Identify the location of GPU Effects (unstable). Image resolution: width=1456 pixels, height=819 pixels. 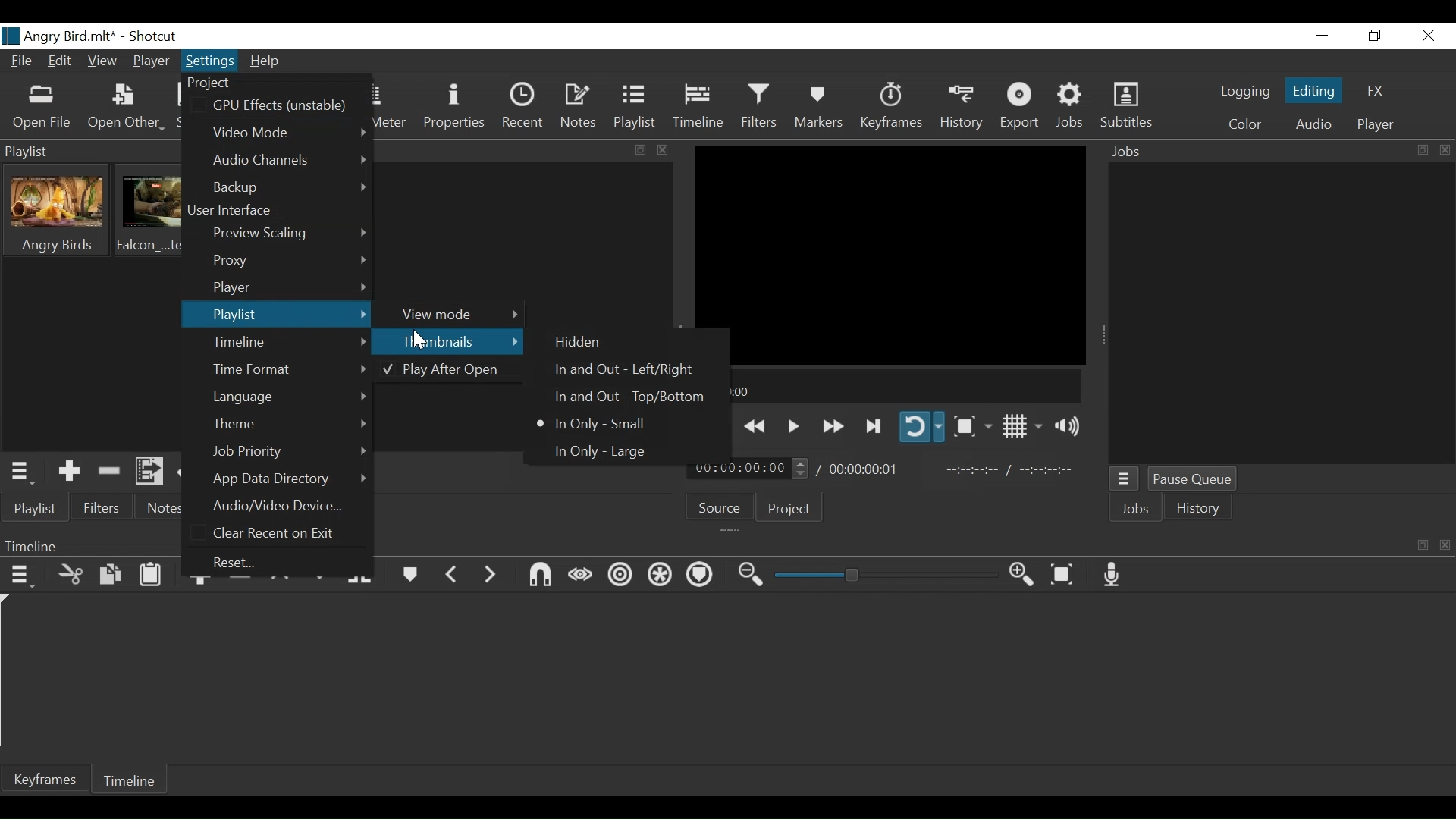
(284, 105).